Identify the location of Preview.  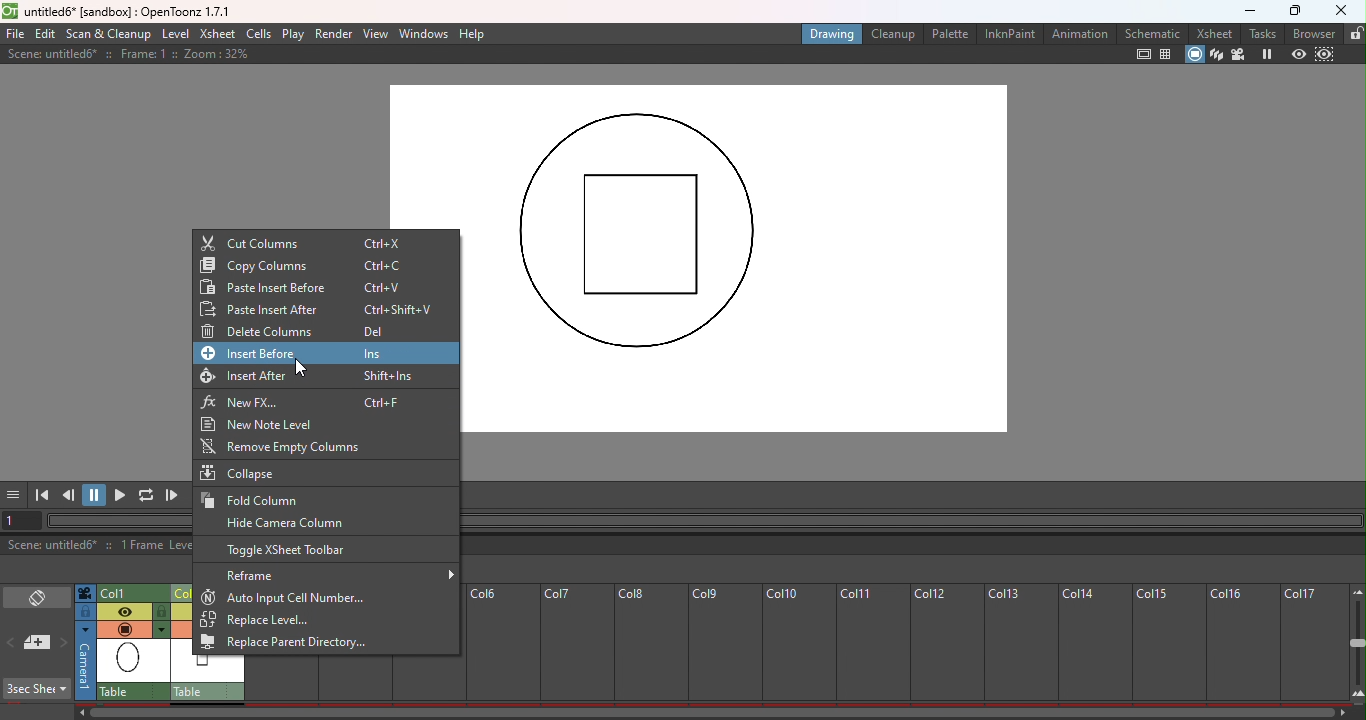
(1298, 55).